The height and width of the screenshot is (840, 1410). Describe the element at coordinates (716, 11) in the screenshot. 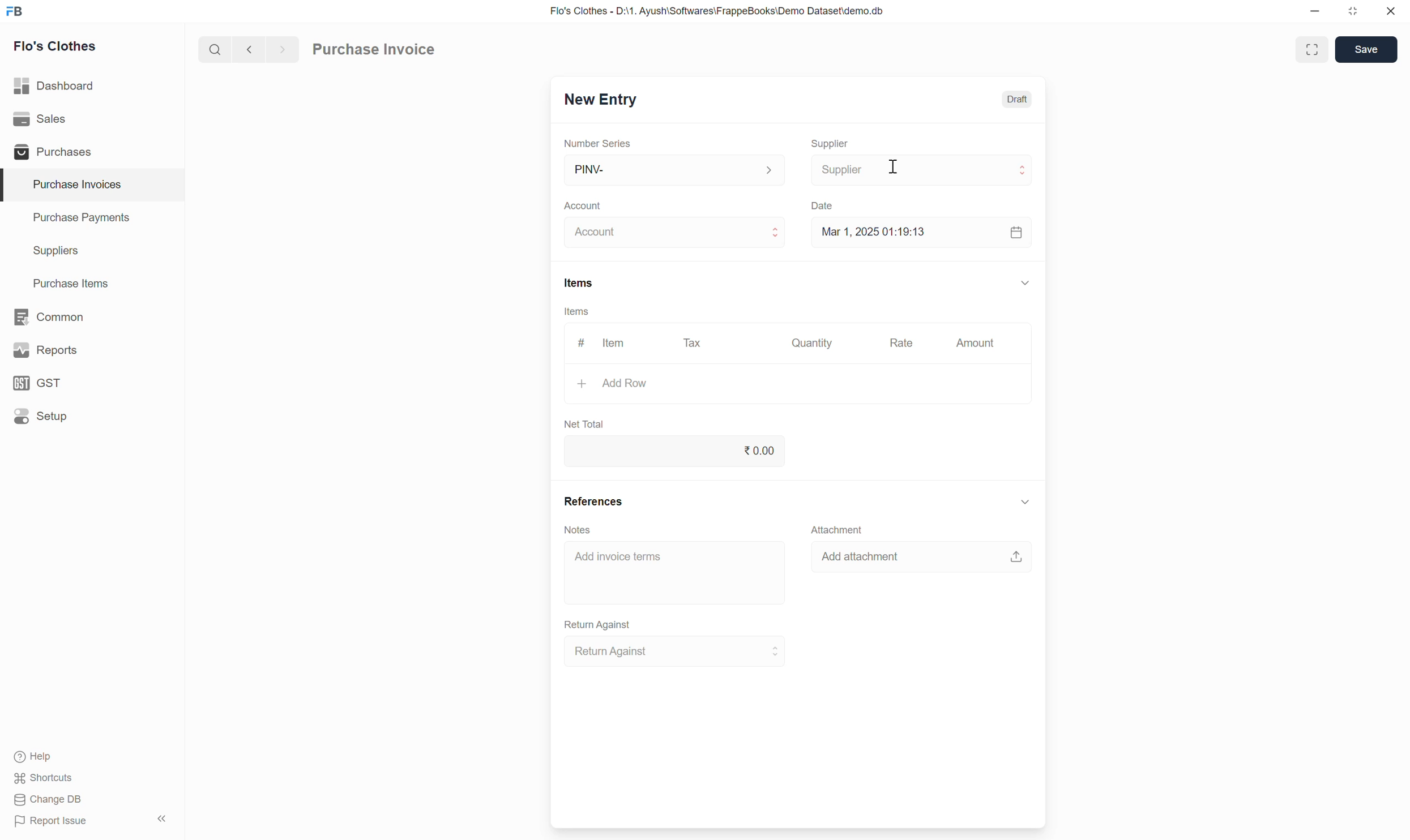

I see `Flo's Clothes - D:\1. Ayush\Softwares\FrappeBooks\Demo Dataset\demo.db` at that location.